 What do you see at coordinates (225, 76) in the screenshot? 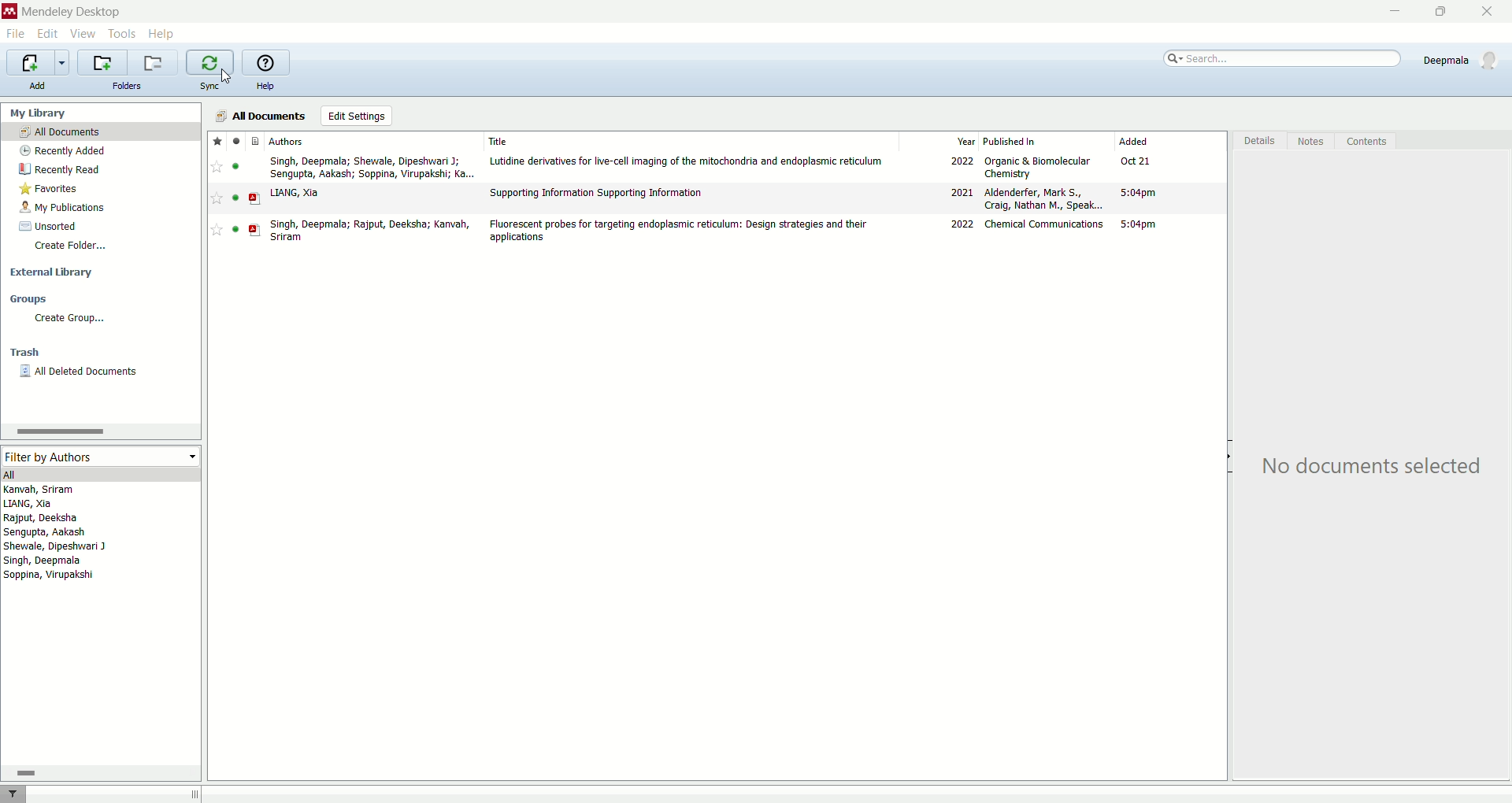
I see `cursor` at bounding box center [225, 76].